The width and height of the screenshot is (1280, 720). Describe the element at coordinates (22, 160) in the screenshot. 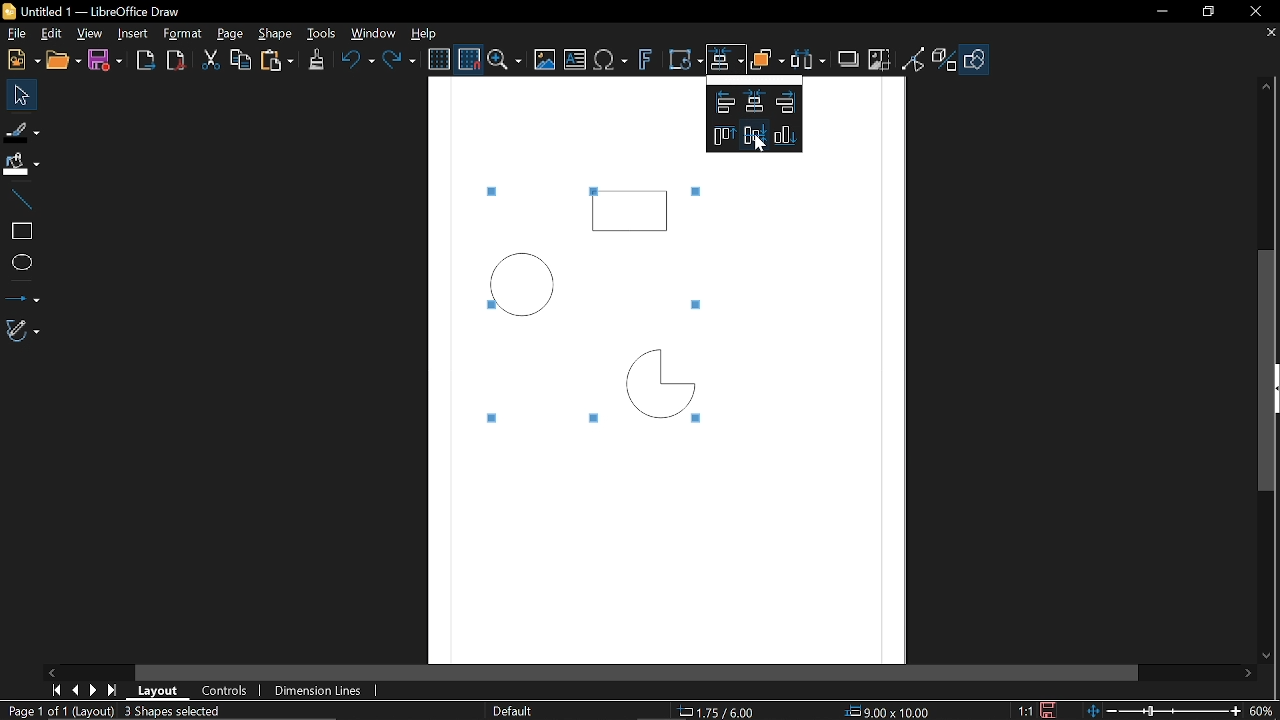

I see `FiIl color` at that location.